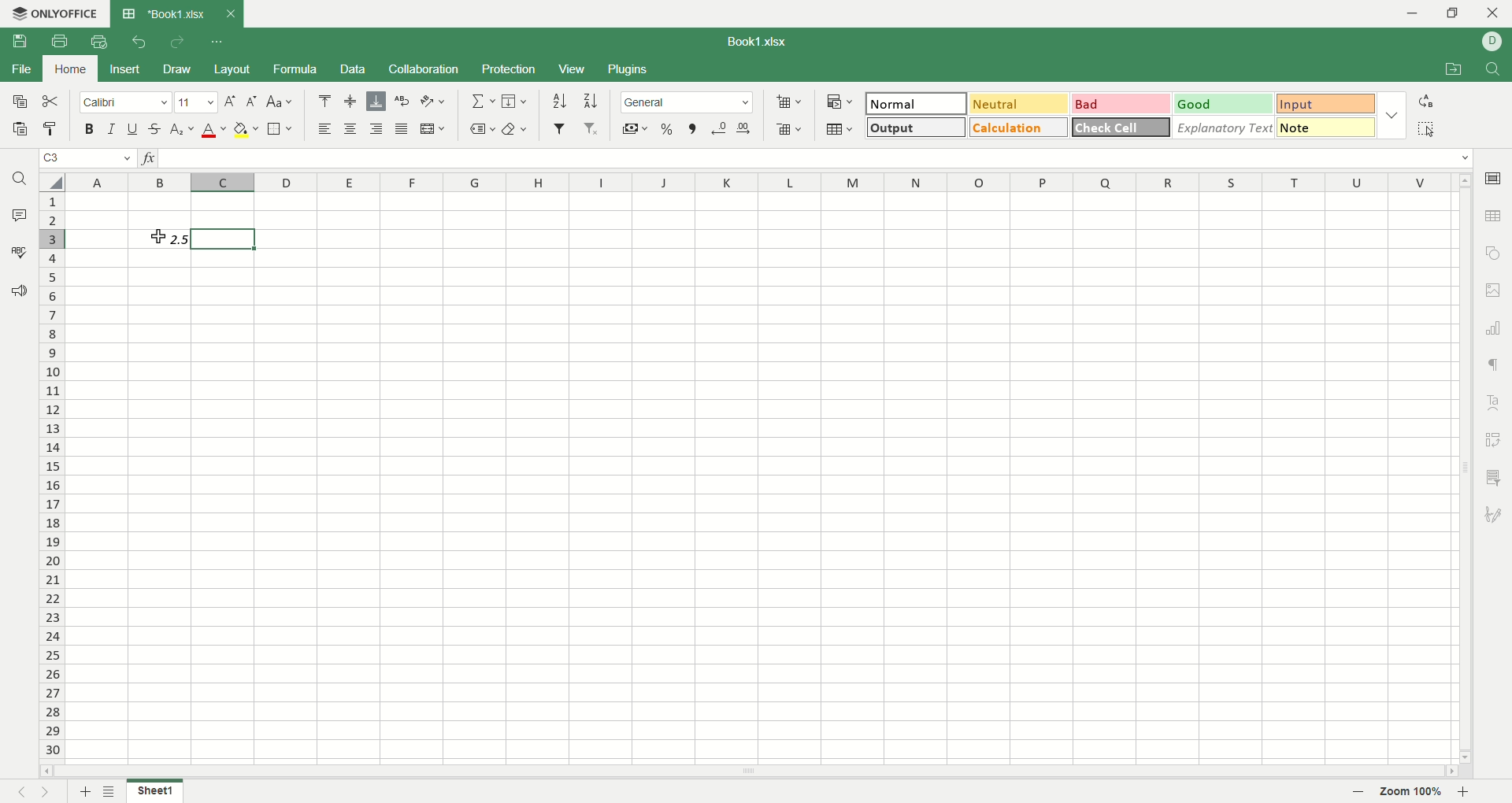 The width and height of the screenshot is (1512, 803). Describe the element at coordinates (1466, 470) in the screenshot. I see `vertical scroll bar` at that location.